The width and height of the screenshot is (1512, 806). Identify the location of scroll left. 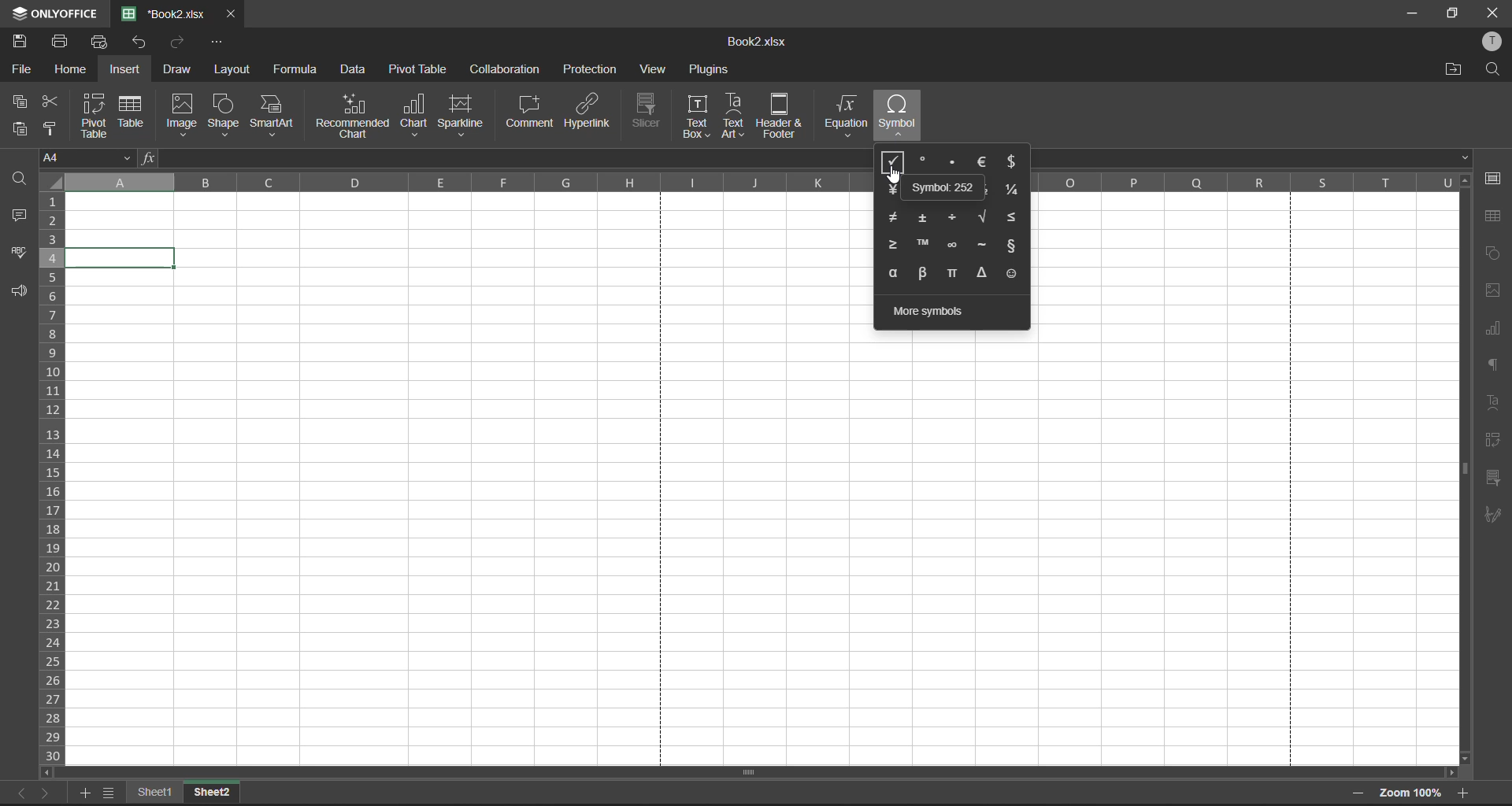
(46, 773).